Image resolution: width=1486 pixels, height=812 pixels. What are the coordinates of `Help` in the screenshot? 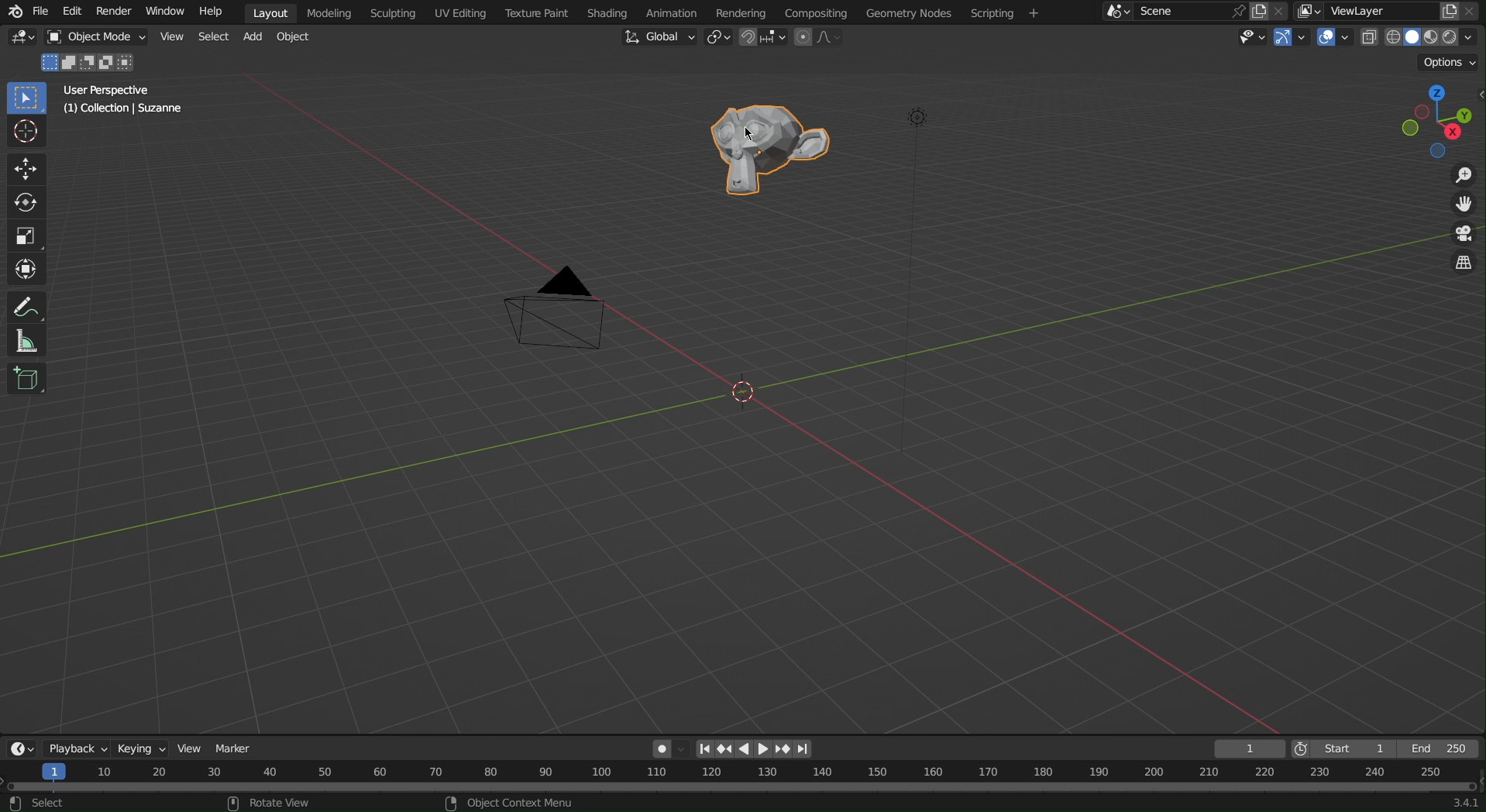 It's located at (210, 10).